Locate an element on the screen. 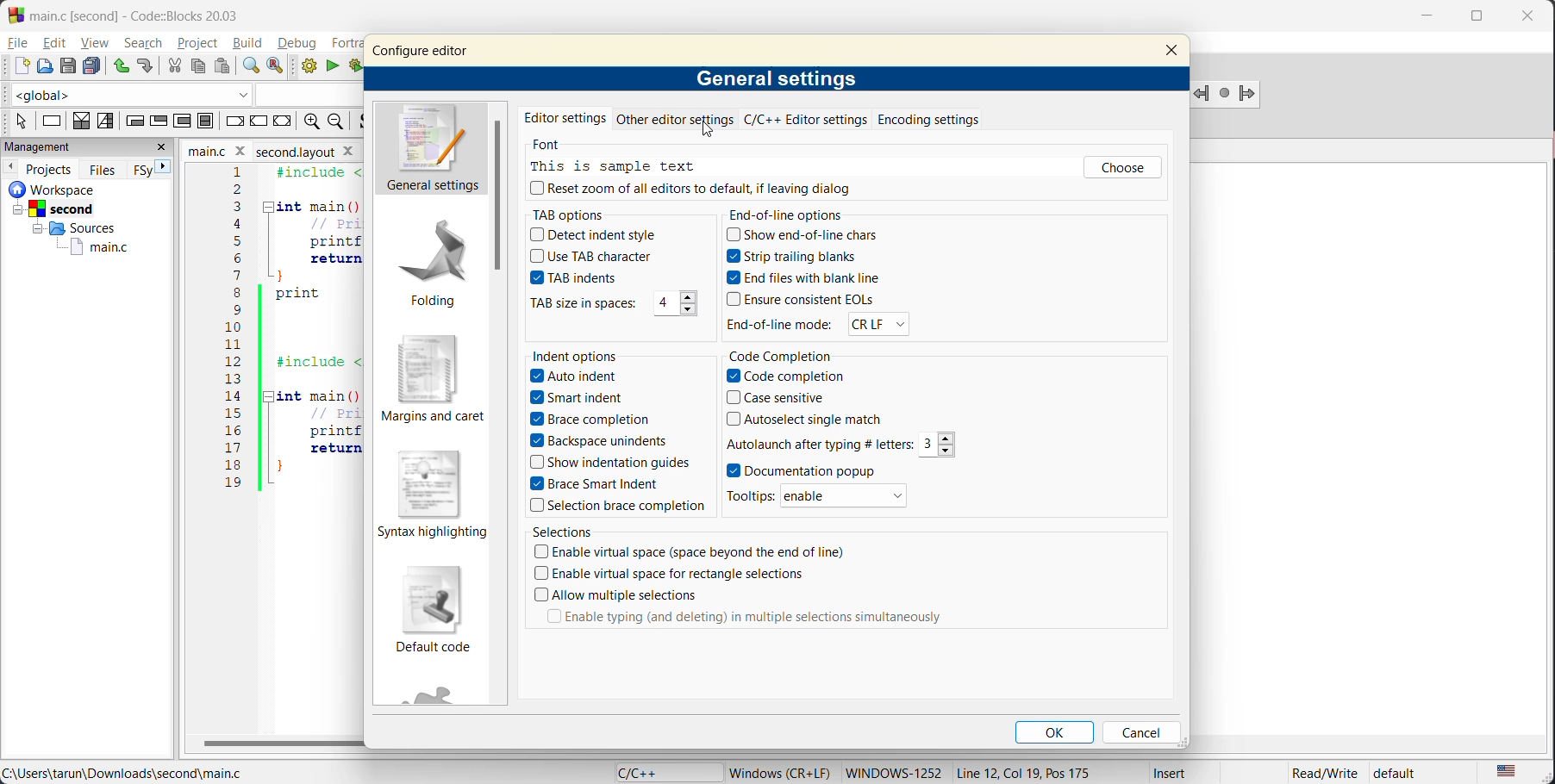  End files with blank line is located at coordinates (824, 277).